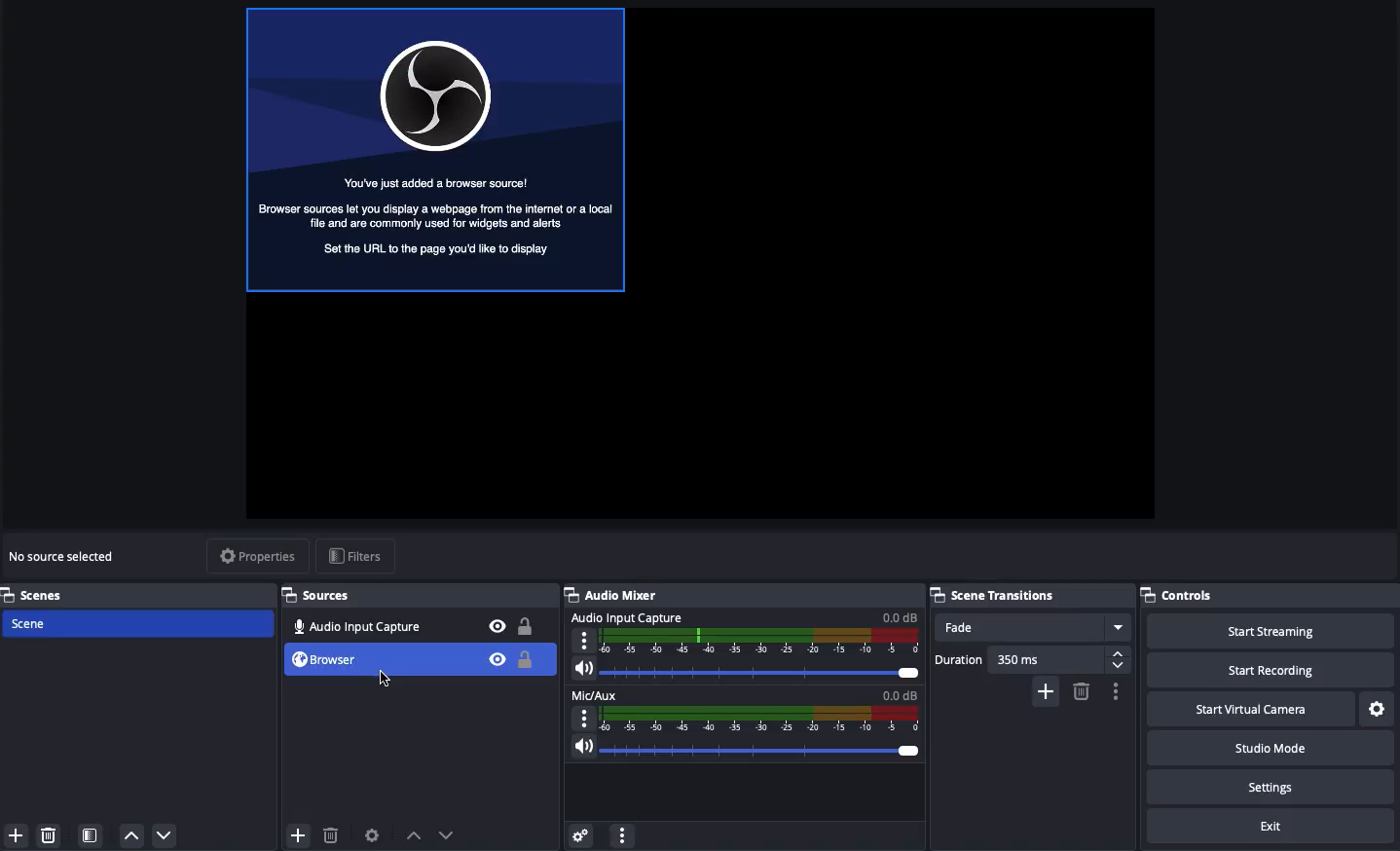 This screenshot has width=1400, height=851. Describe the element at coordinates (1033, 627) in the screenshot. I see `Fade` at that location.